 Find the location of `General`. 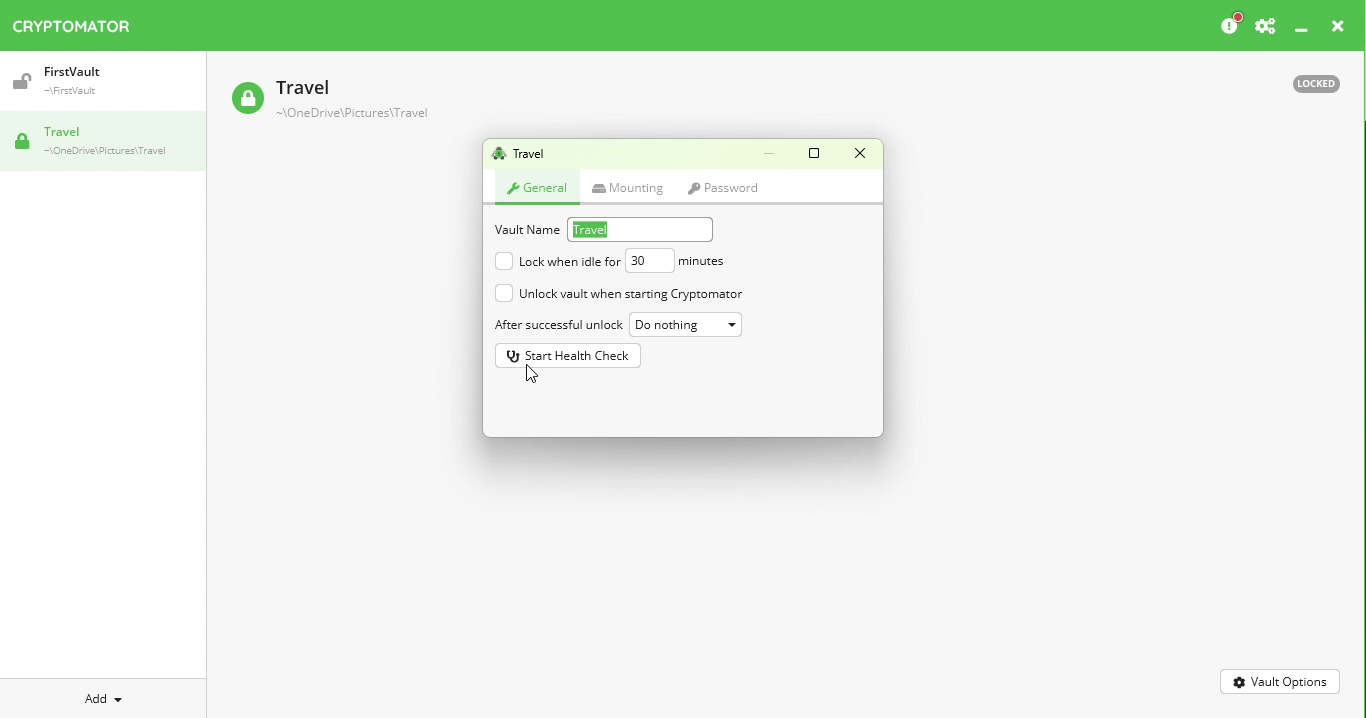

General is located at coordinates (535, 189).